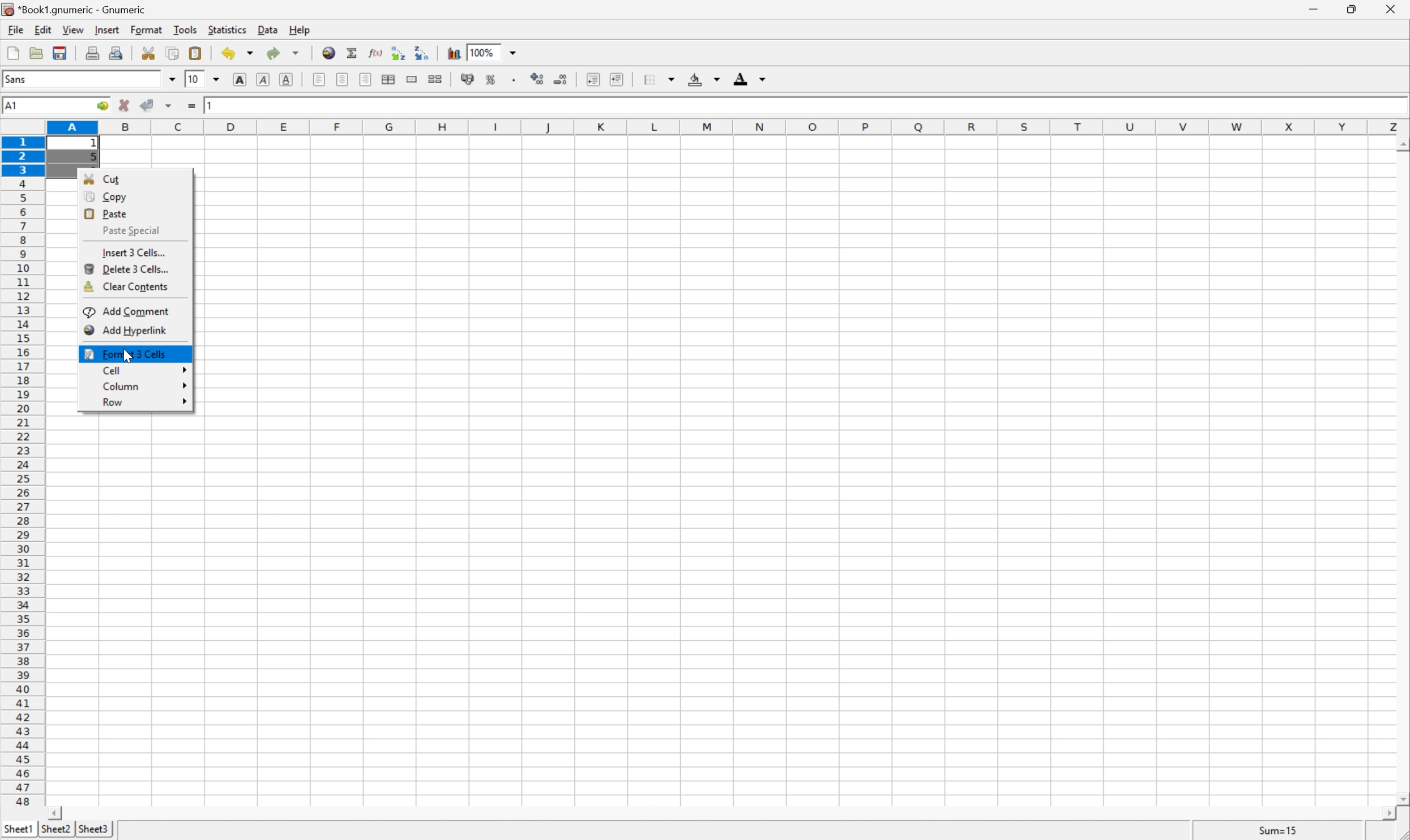  I want to click on merge a range of cells, so click(415, 79).